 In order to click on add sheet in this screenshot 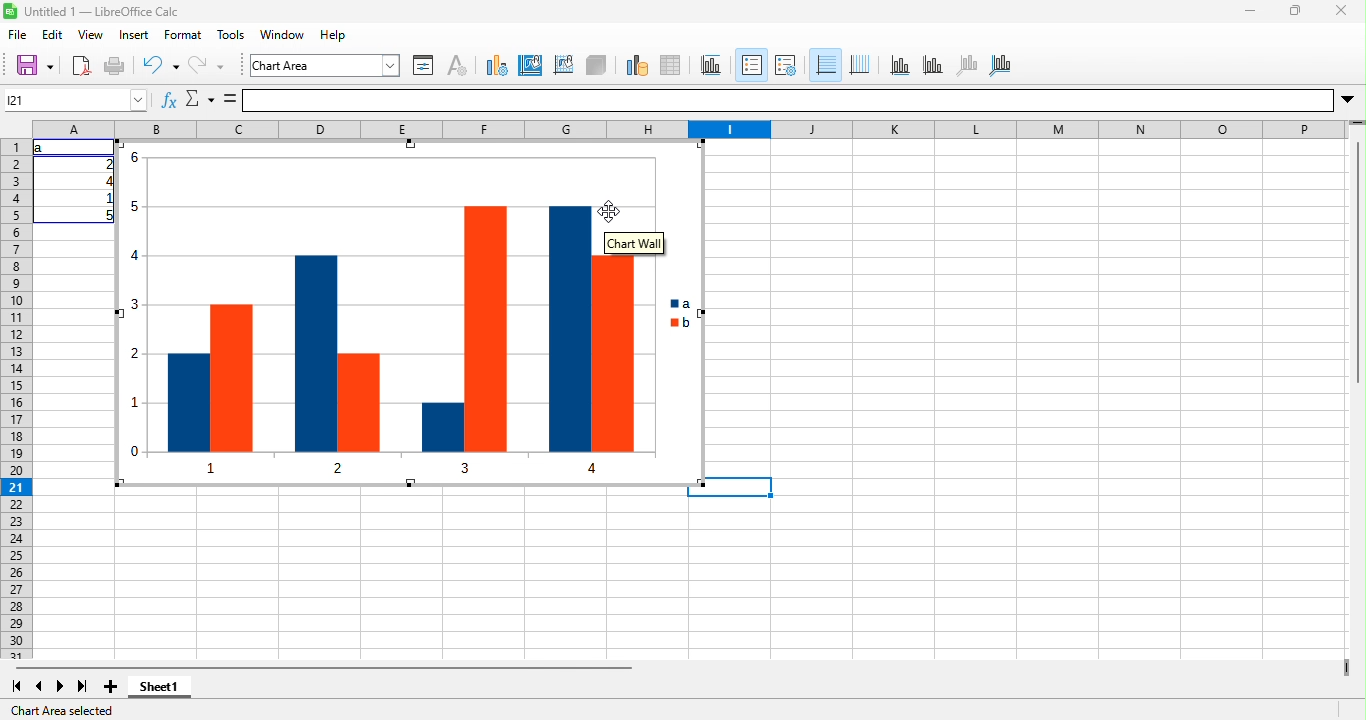, I will do `click(111, 686)`.